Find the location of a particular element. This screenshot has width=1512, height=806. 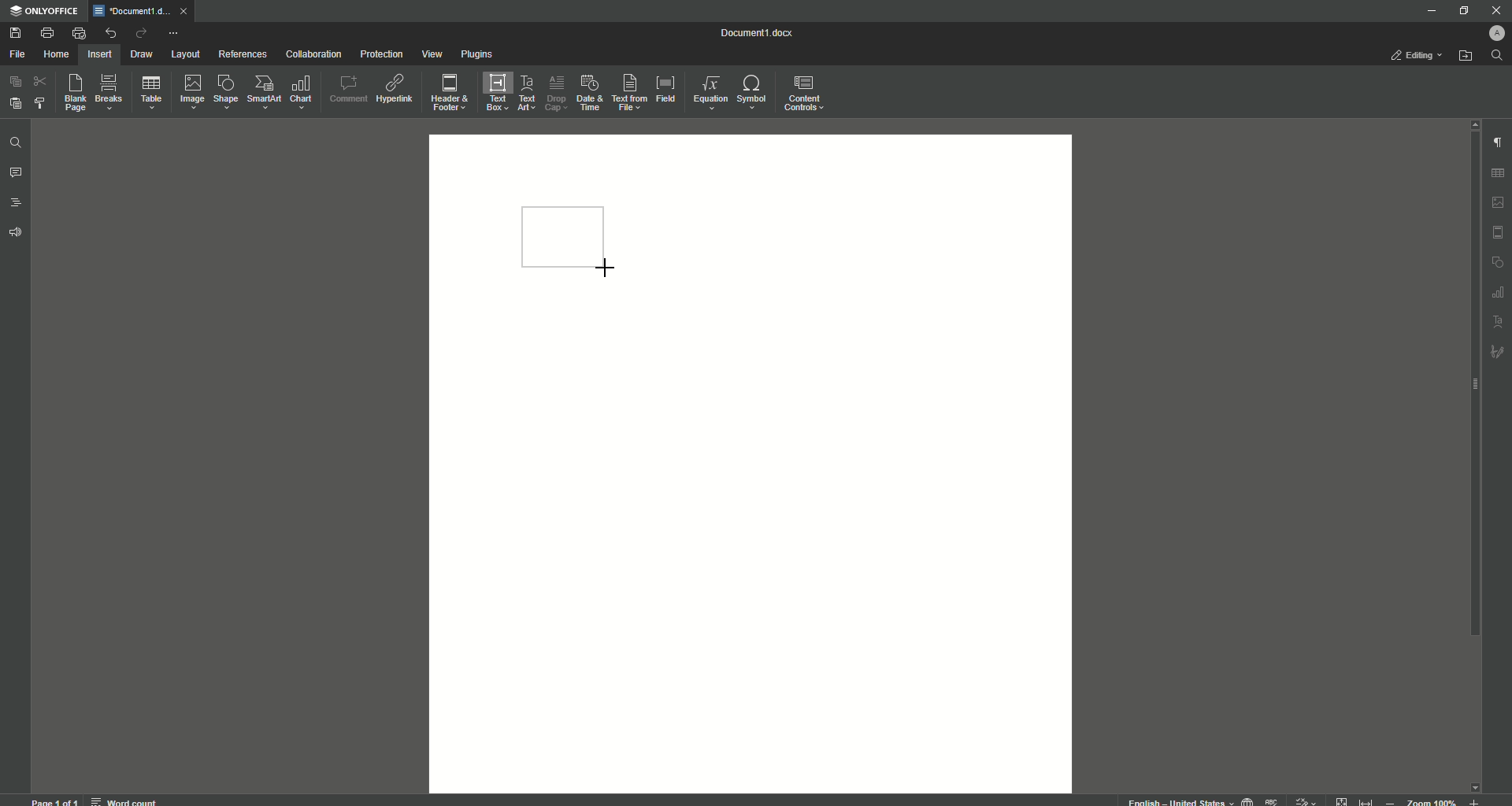

Rectangle is located at coordinates (563, 228).